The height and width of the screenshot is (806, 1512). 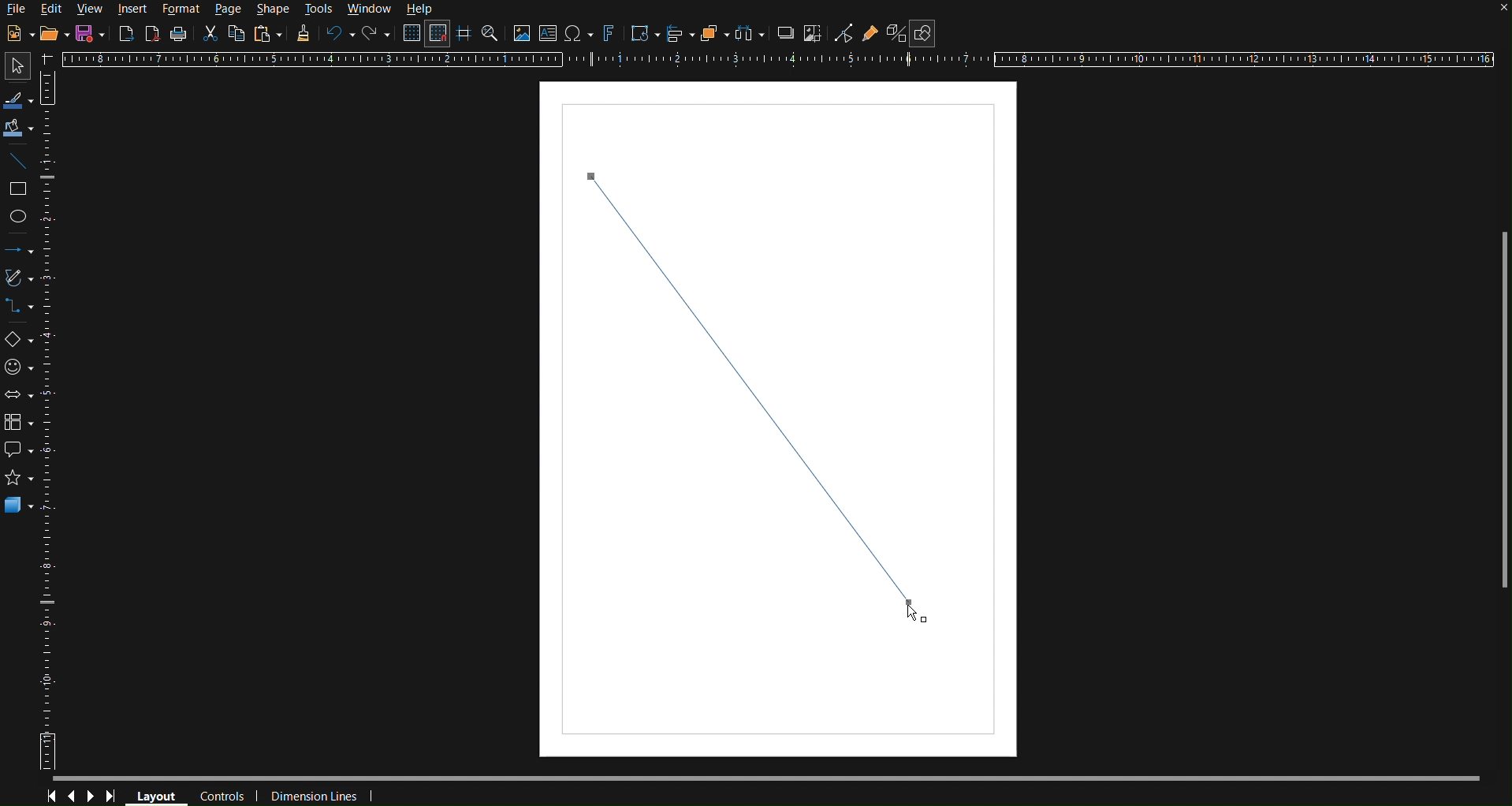 What do you see at coordinates (51, 420) in the screenshot?
I see `Vertical Horizontal` at bounding box center [51, 420].